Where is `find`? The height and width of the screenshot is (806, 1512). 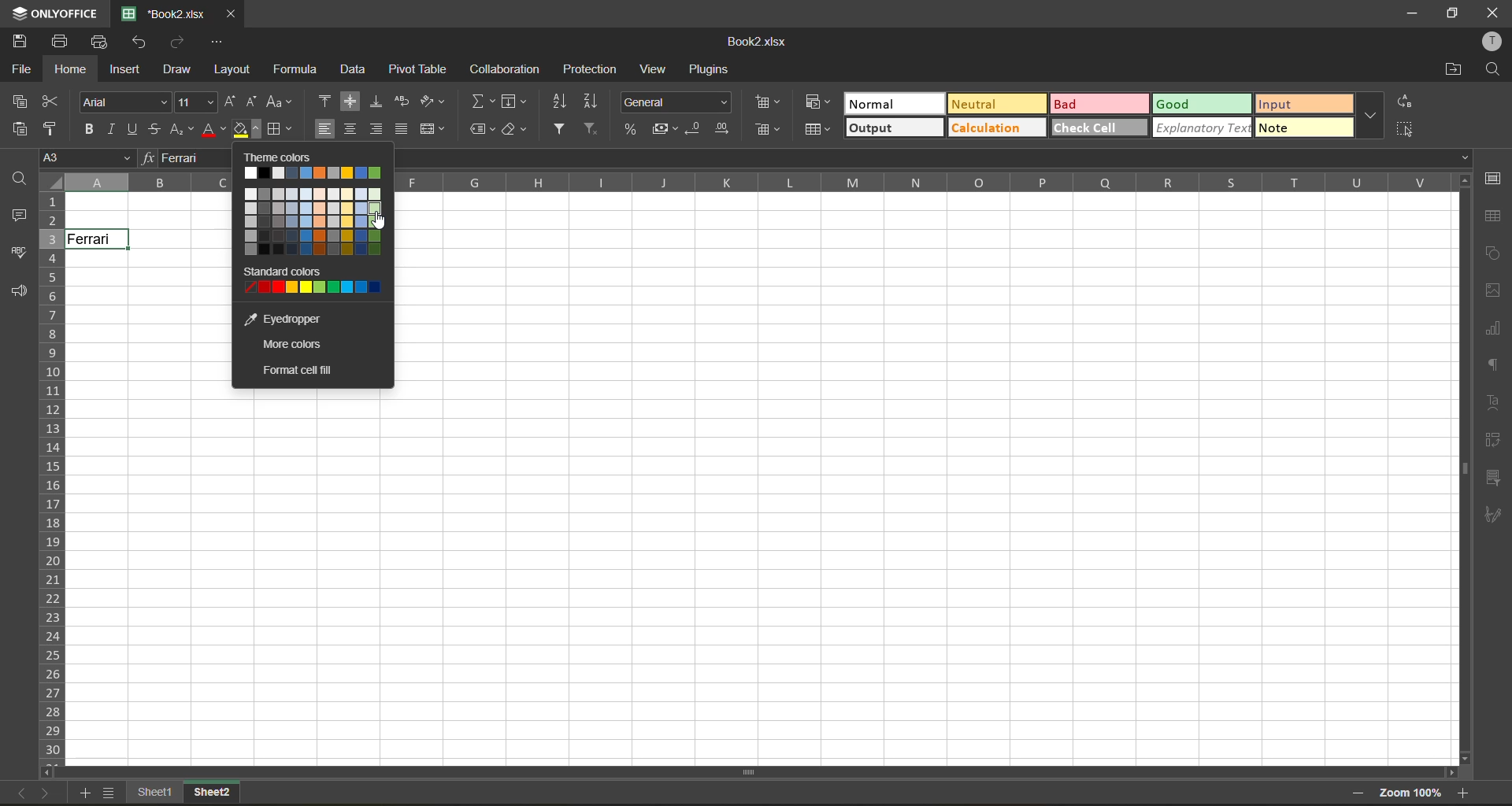 find is located at coordinates (20, 178).